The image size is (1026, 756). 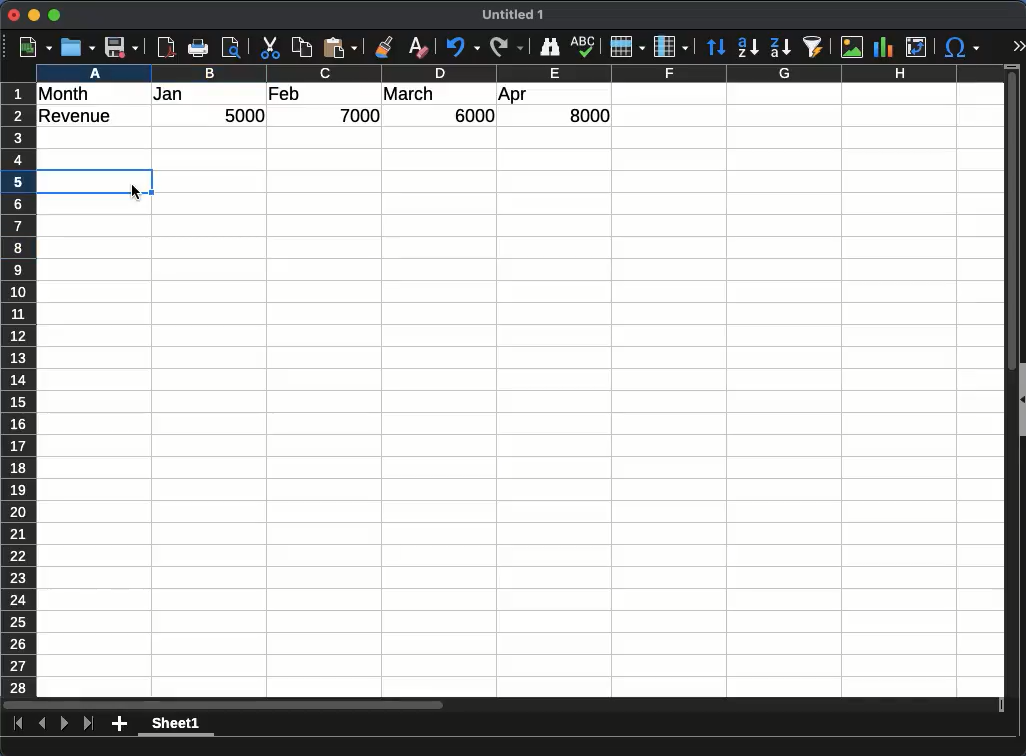 What do you see at coordinates (883, 47) in the screenshot?
I see `chart` at bounding box center [883, 47].